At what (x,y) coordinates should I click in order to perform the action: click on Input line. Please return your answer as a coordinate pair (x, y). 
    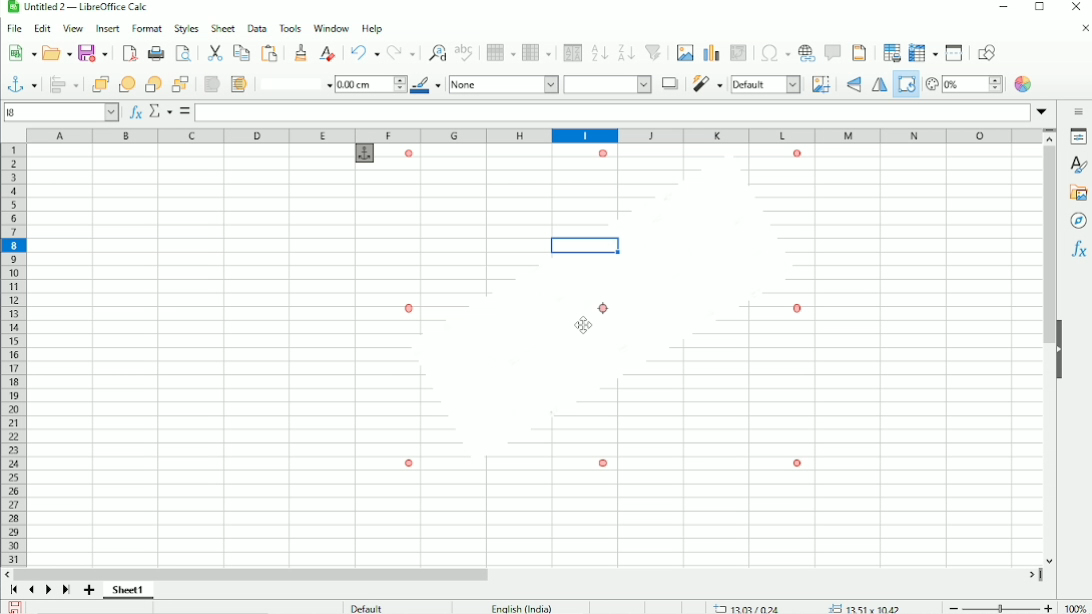
    Looking at the image, I should click on (613, 113).